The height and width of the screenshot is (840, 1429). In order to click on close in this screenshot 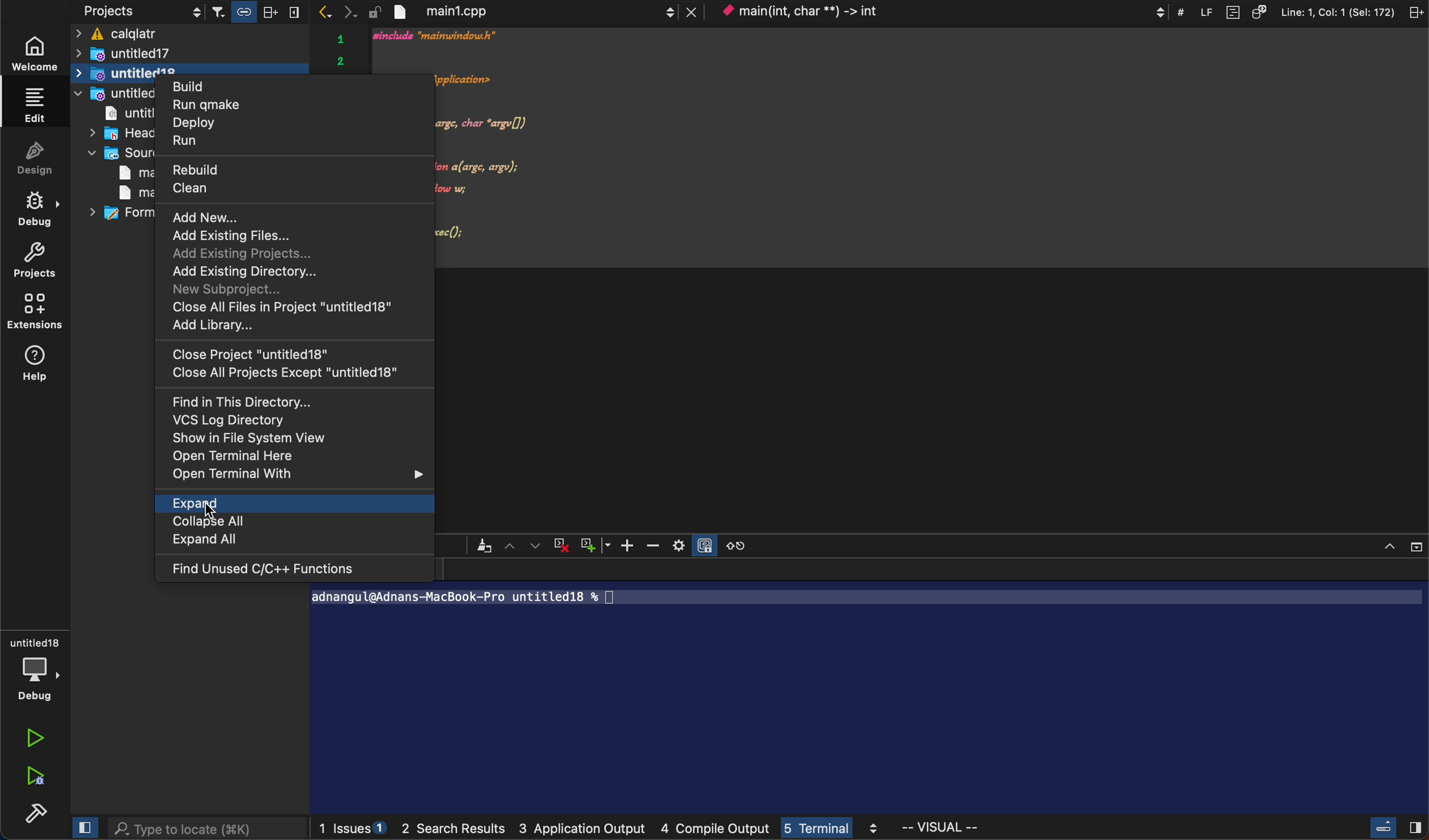, I will do `click(255, 353)`.